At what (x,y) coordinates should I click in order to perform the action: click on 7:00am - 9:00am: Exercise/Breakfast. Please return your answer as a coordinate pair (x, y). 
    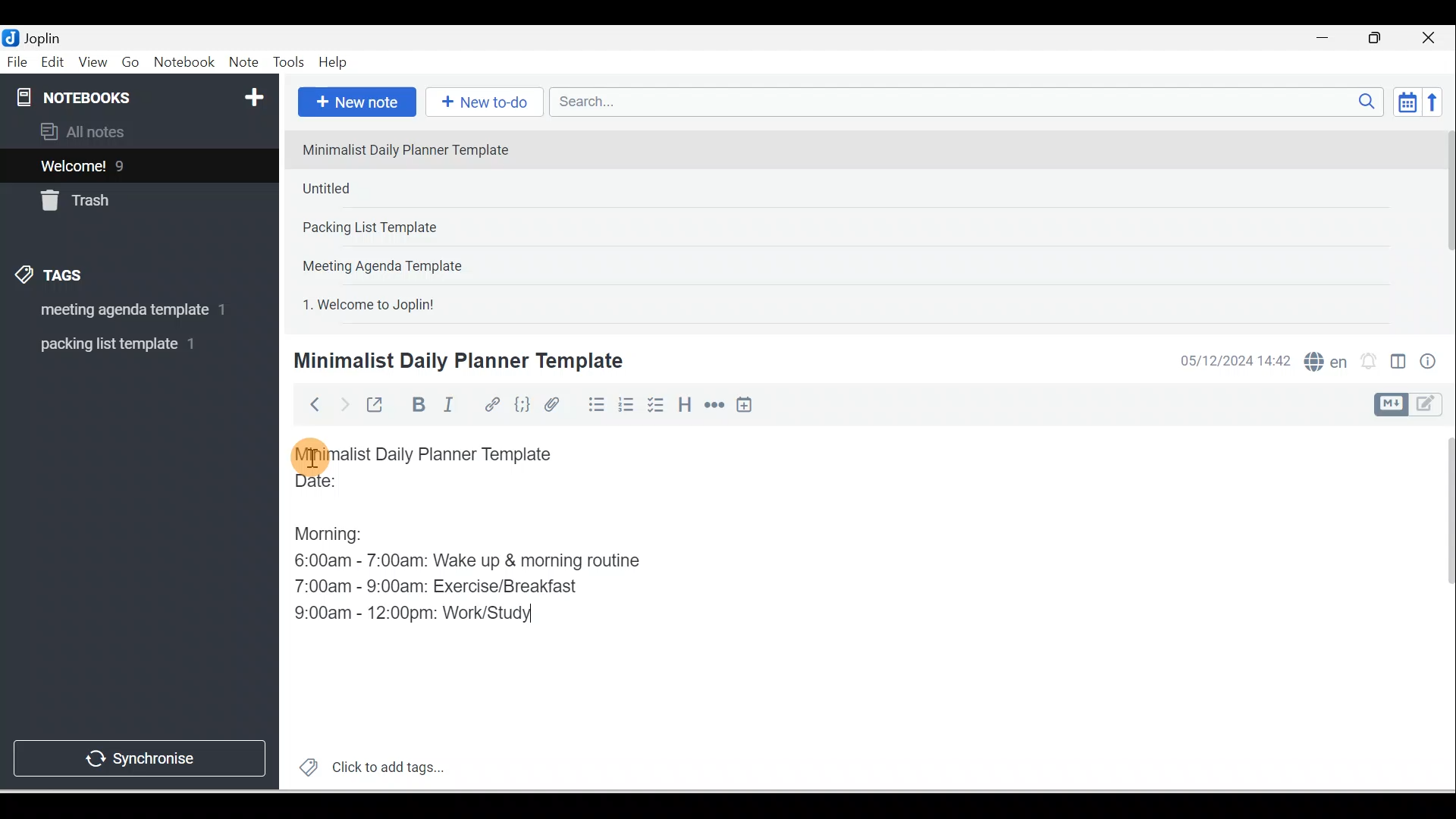
    Looking at the image, I should click on (439, 585).